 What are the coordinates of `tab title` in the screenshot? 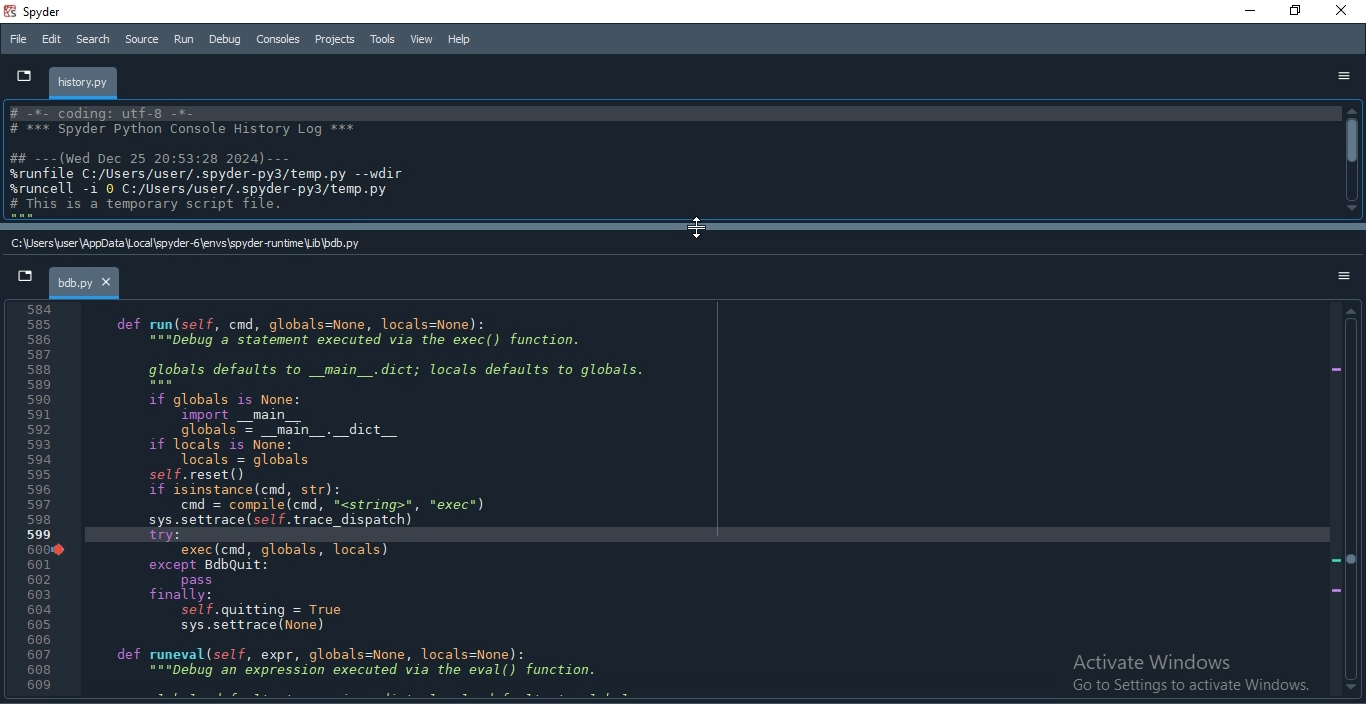 It's located at (86, 284).